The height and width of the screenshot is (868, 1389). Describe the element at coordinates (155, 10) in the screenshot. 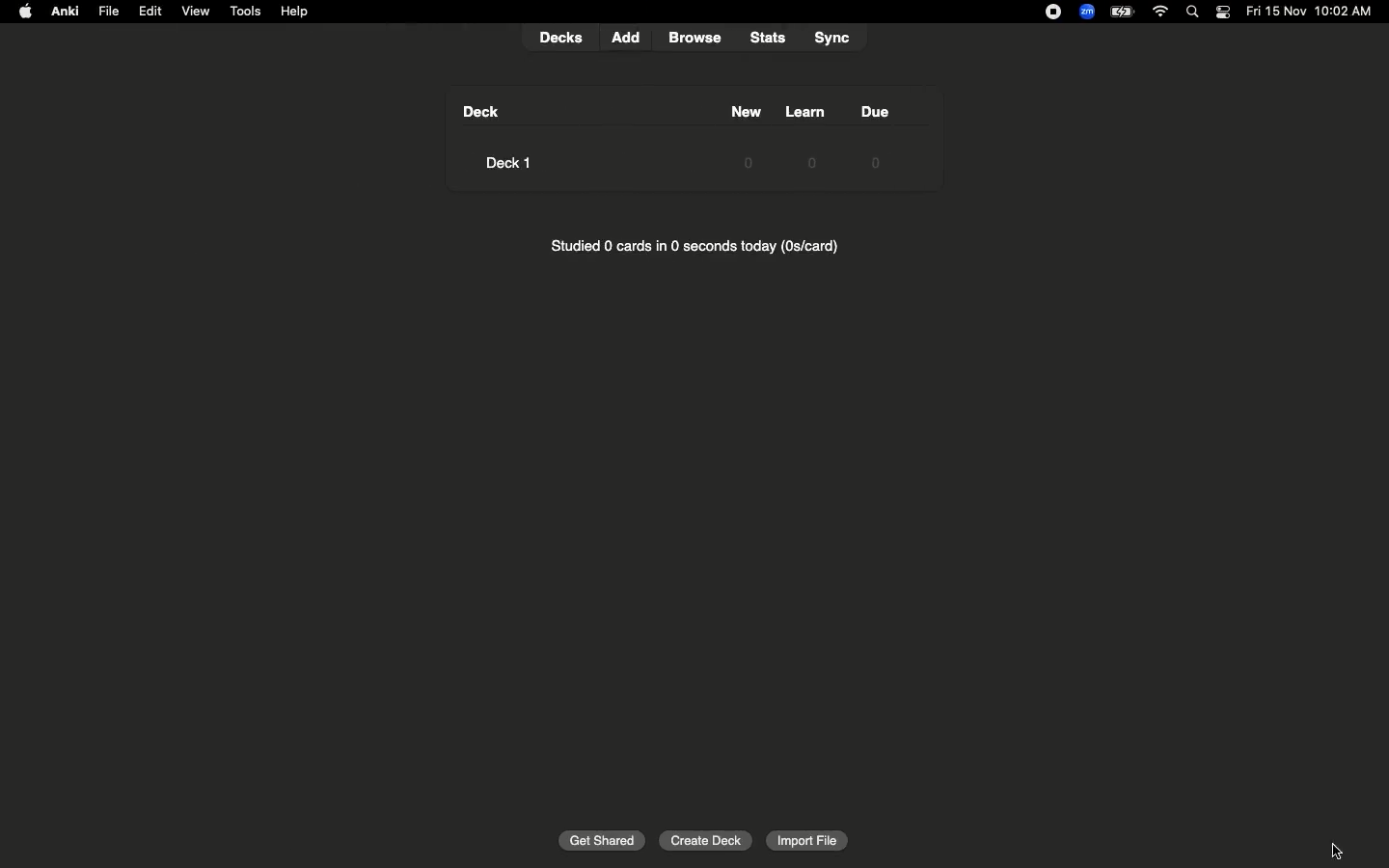

I see `edit` at that location.